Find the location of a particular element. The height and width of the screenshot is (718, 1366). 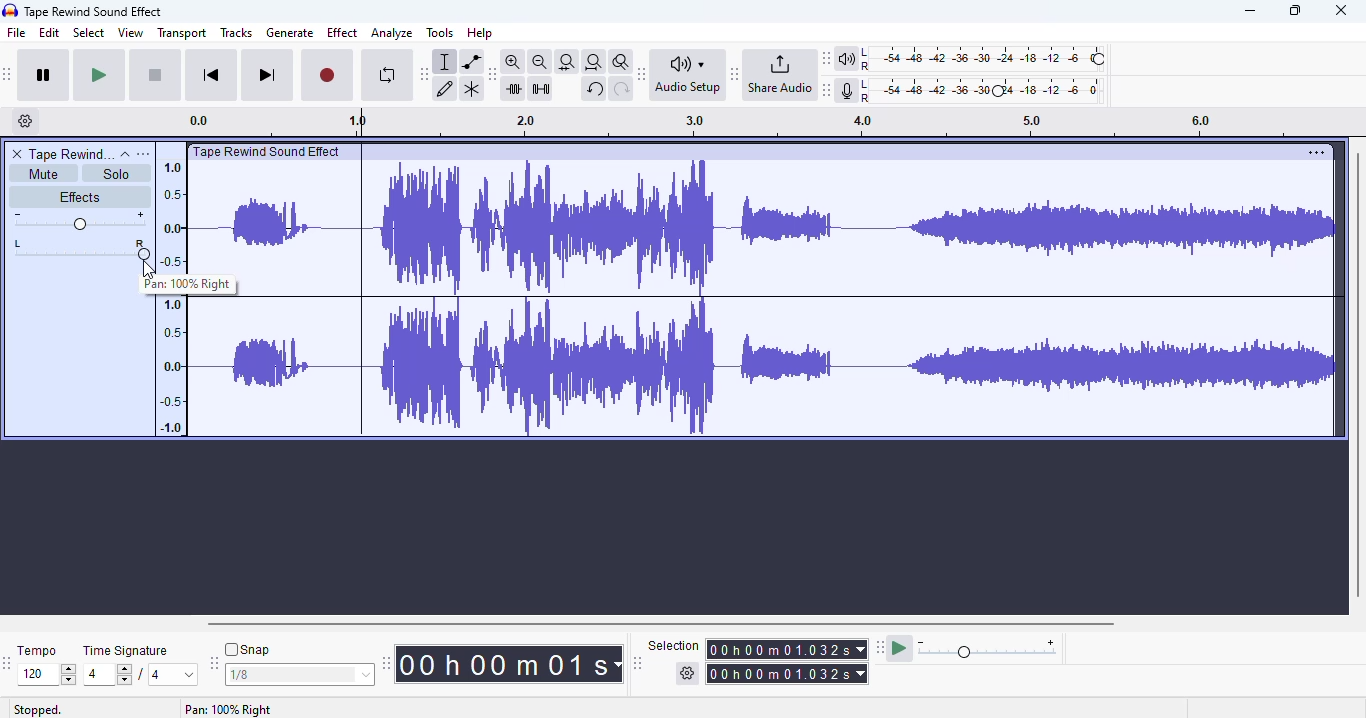

fit selection to width is located at coordinates (567, 63).